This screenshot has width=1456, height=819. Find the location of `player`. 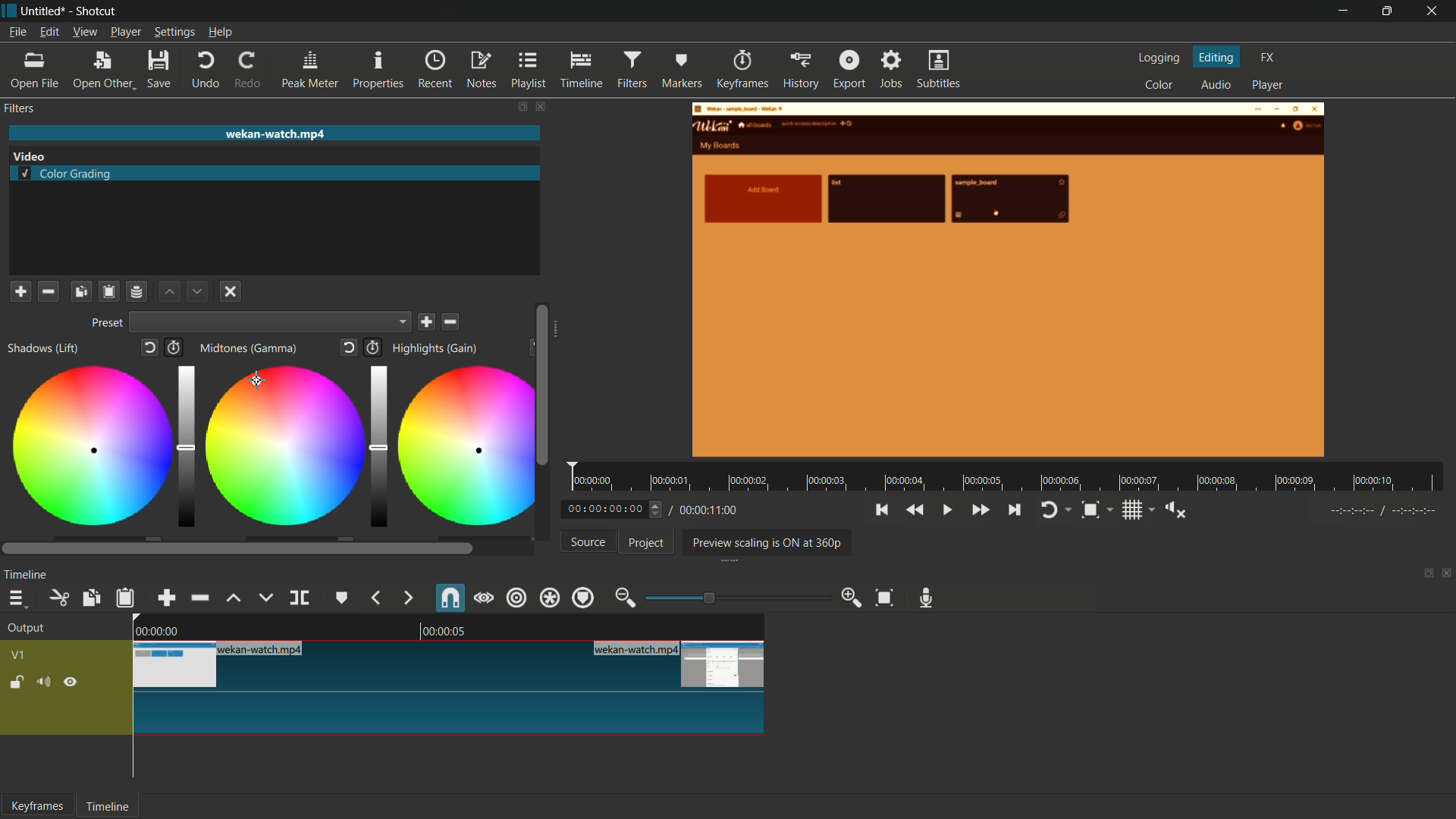

player is located at coordinates (1270, 85).